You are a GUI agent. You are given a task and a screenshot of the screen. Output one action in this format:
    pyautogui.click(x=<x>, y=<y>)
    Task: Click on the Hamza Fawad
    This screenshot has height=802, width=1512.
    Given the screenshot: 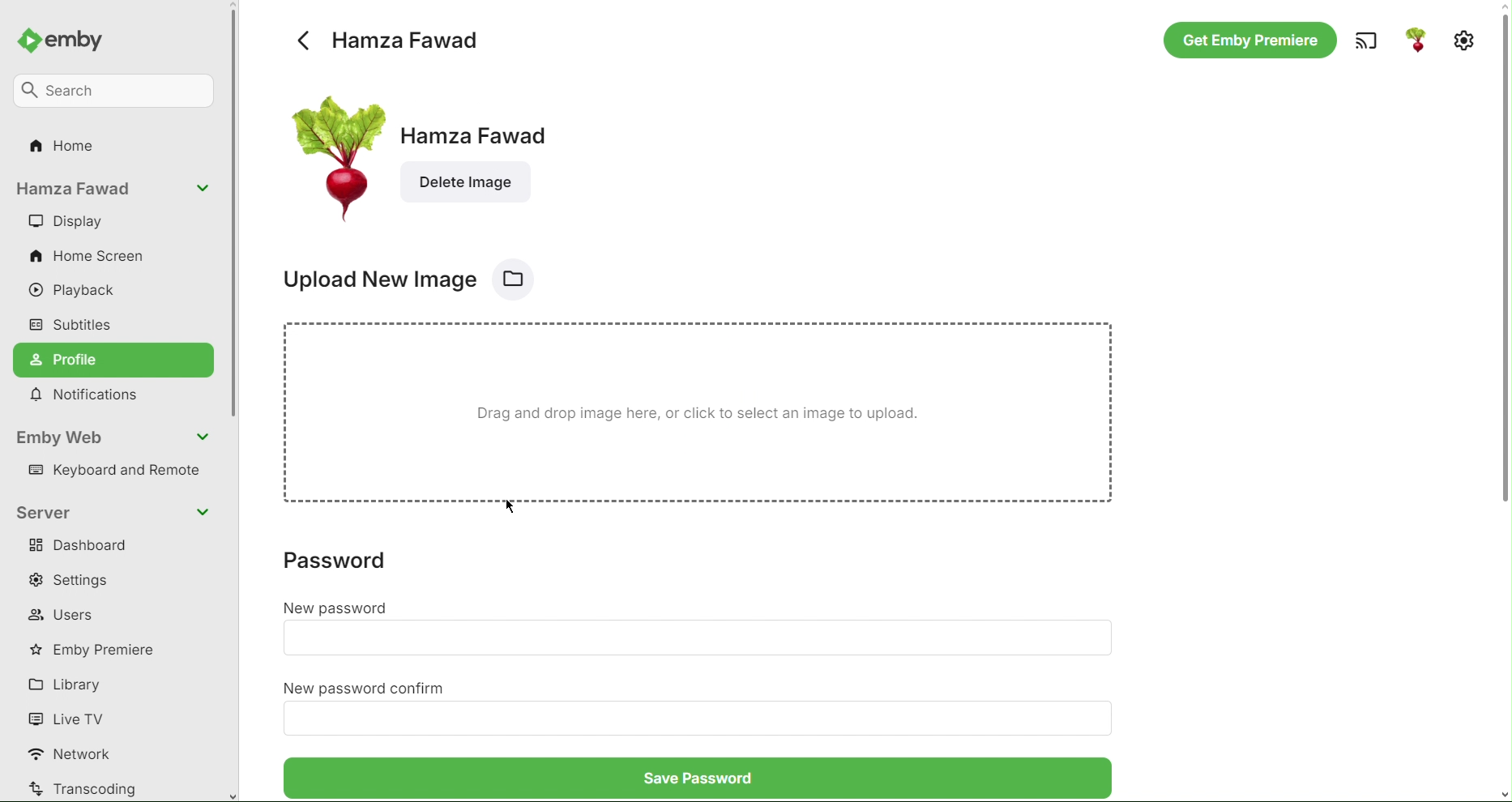 What is the action you would take?
    pyautogui.click(x=487, y=154)
    